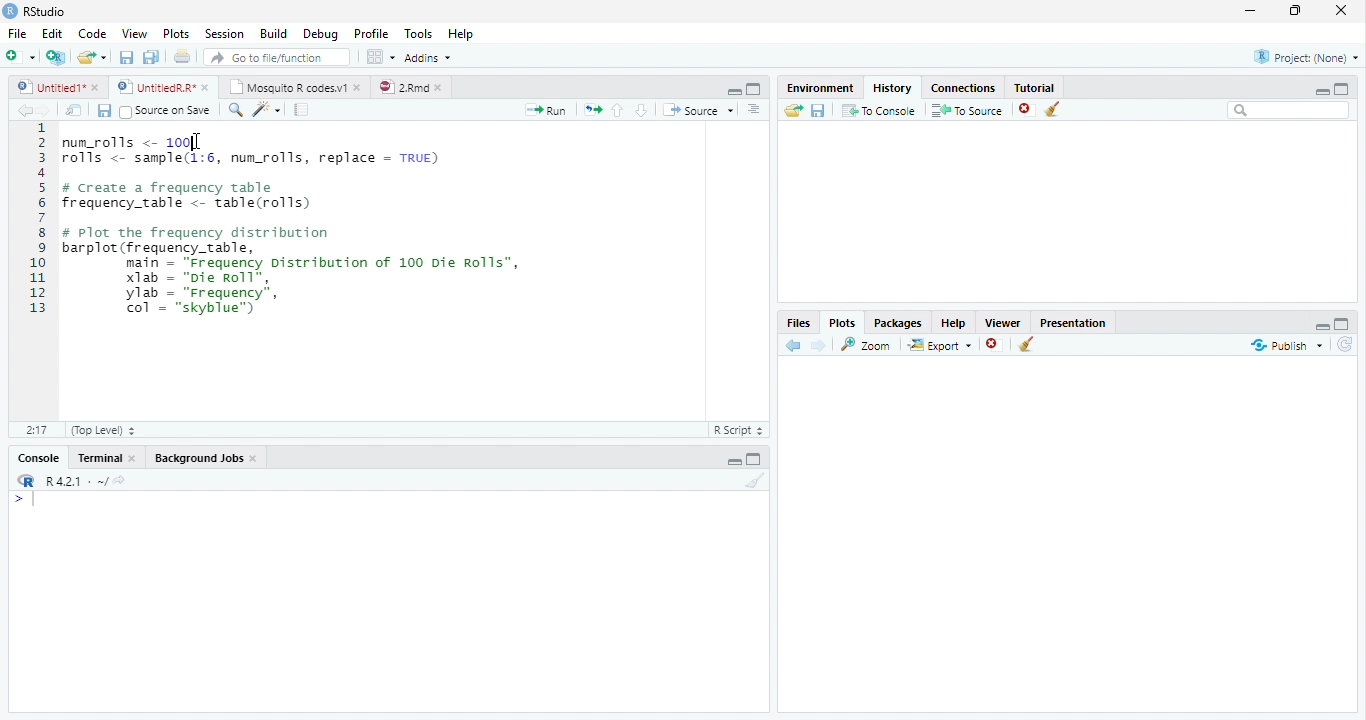 The width and height of the screenshot is (1366, 720). I want to click on Clear, so click(1053, 109).